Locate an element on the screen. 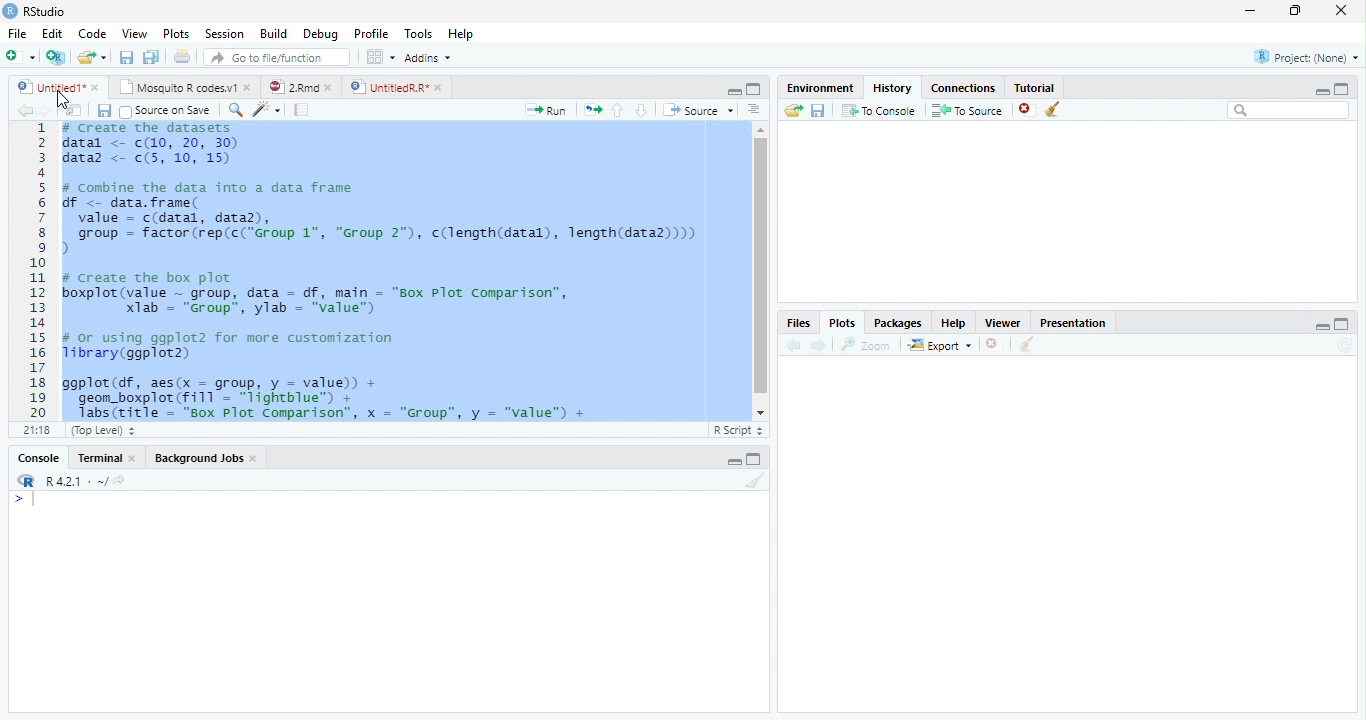 The image size is (1366, 720). Clear console is located at coordinates (756, 480).